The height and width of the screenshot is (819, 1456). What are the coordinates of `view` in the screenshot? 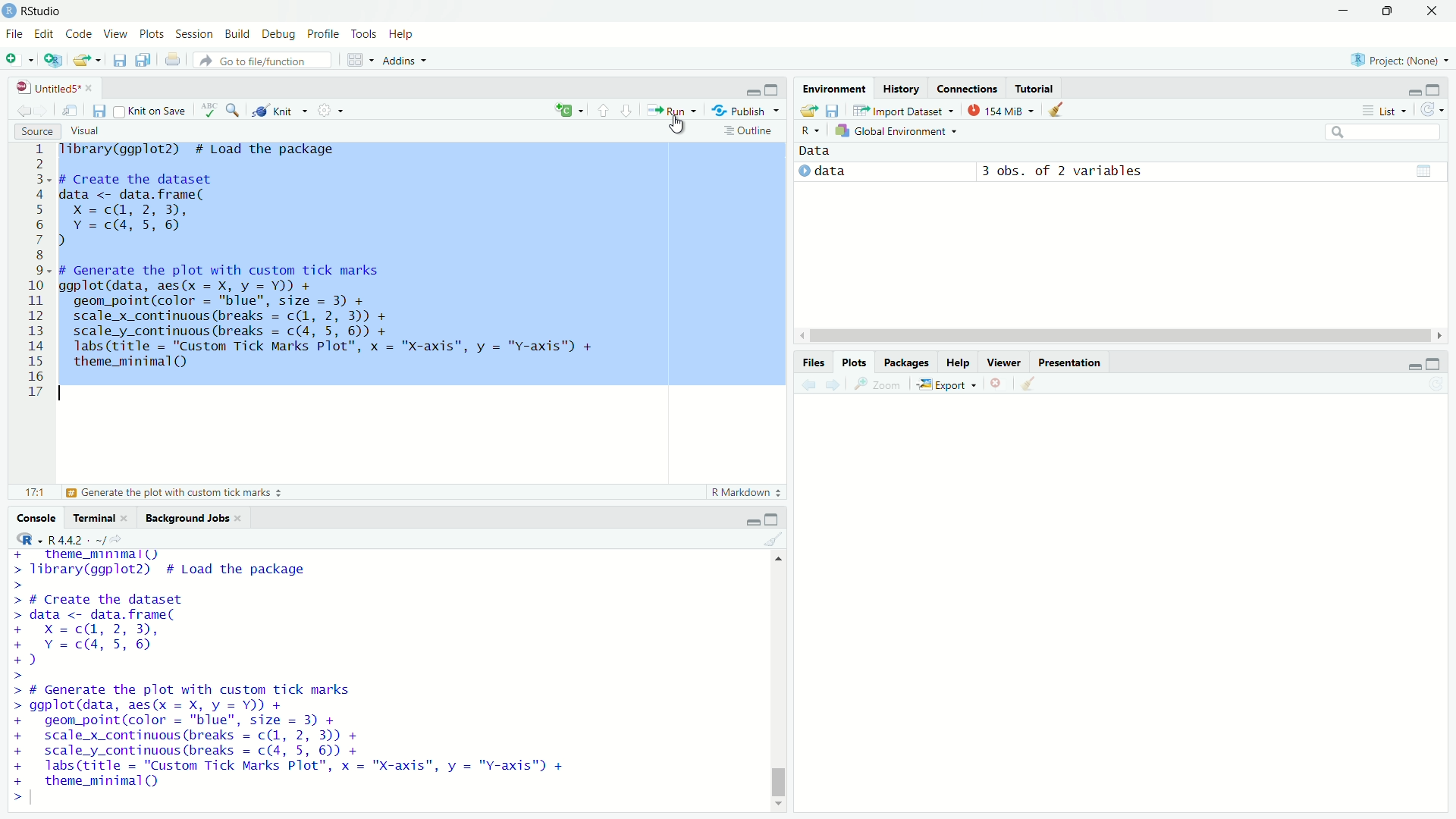 It's located at (115, 35).